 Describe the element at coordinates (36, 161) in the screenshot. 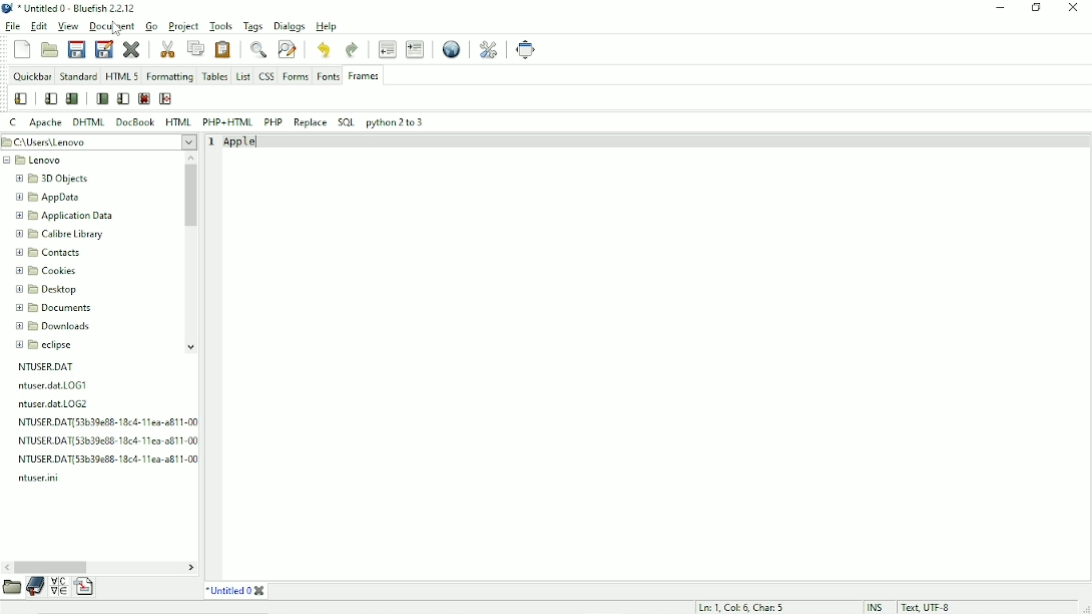

I see `Lenovo` at that location.